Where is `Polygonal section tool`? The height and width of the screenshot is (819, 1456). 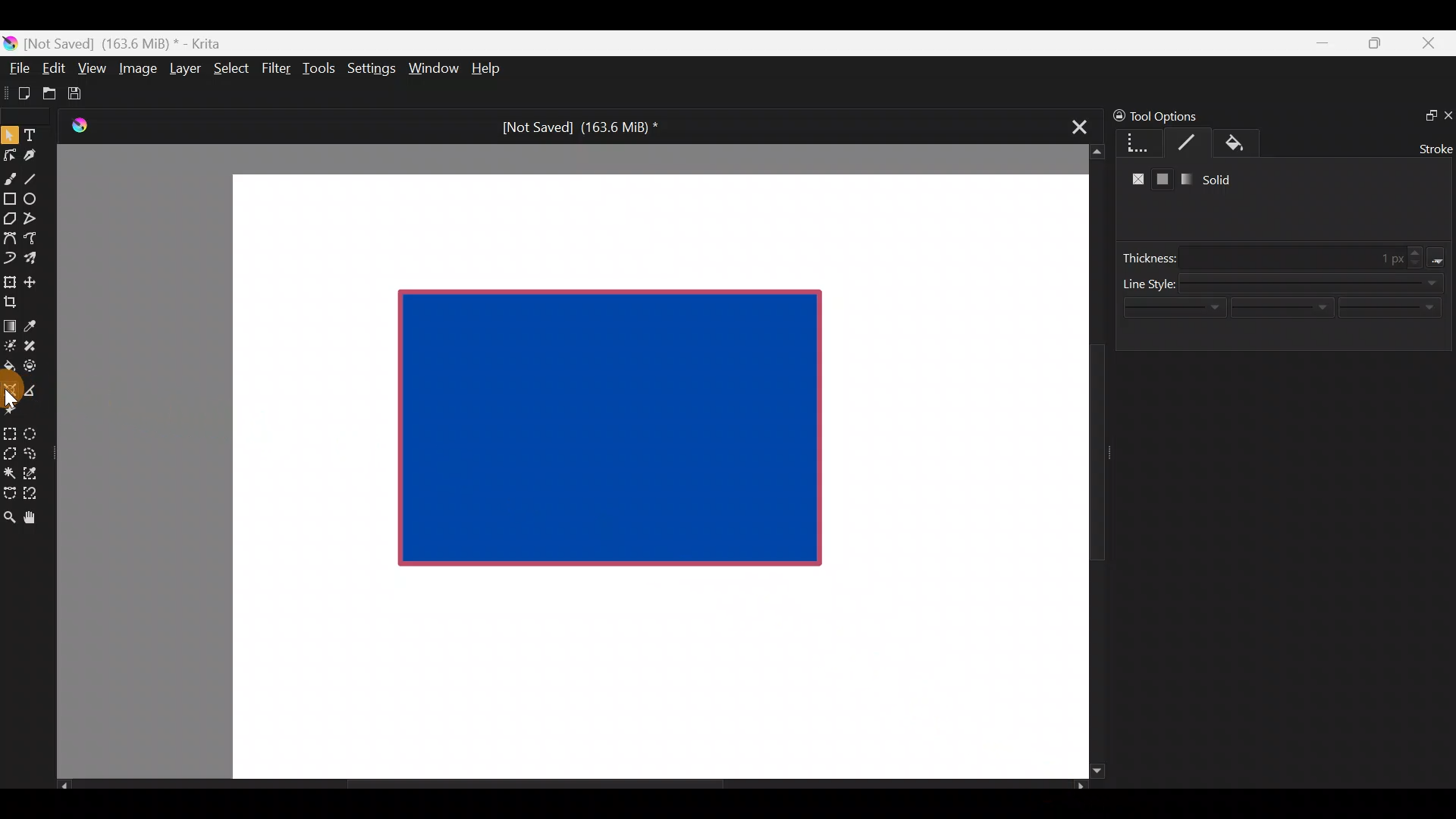
Polygonal section tool is located at coordinates (9, 450).